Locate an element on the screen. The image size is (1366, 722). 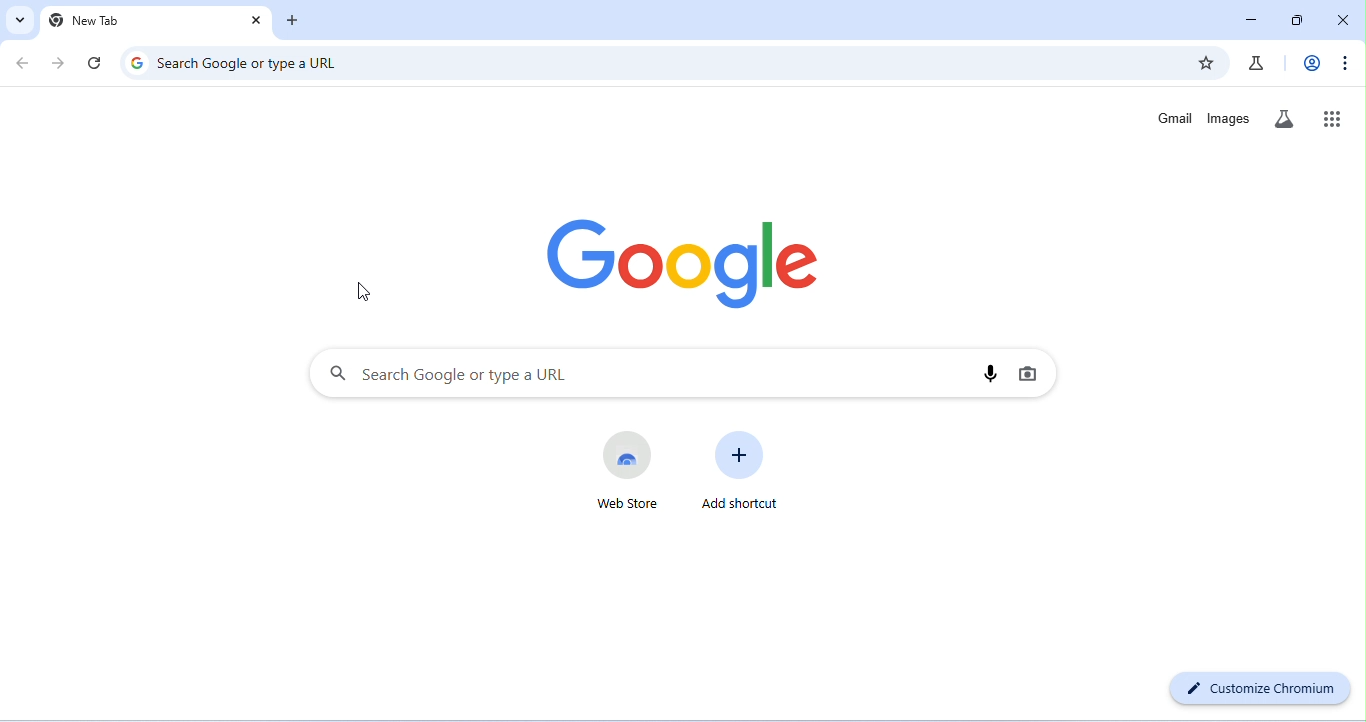
search by image is located at coordinates (1030, 375).